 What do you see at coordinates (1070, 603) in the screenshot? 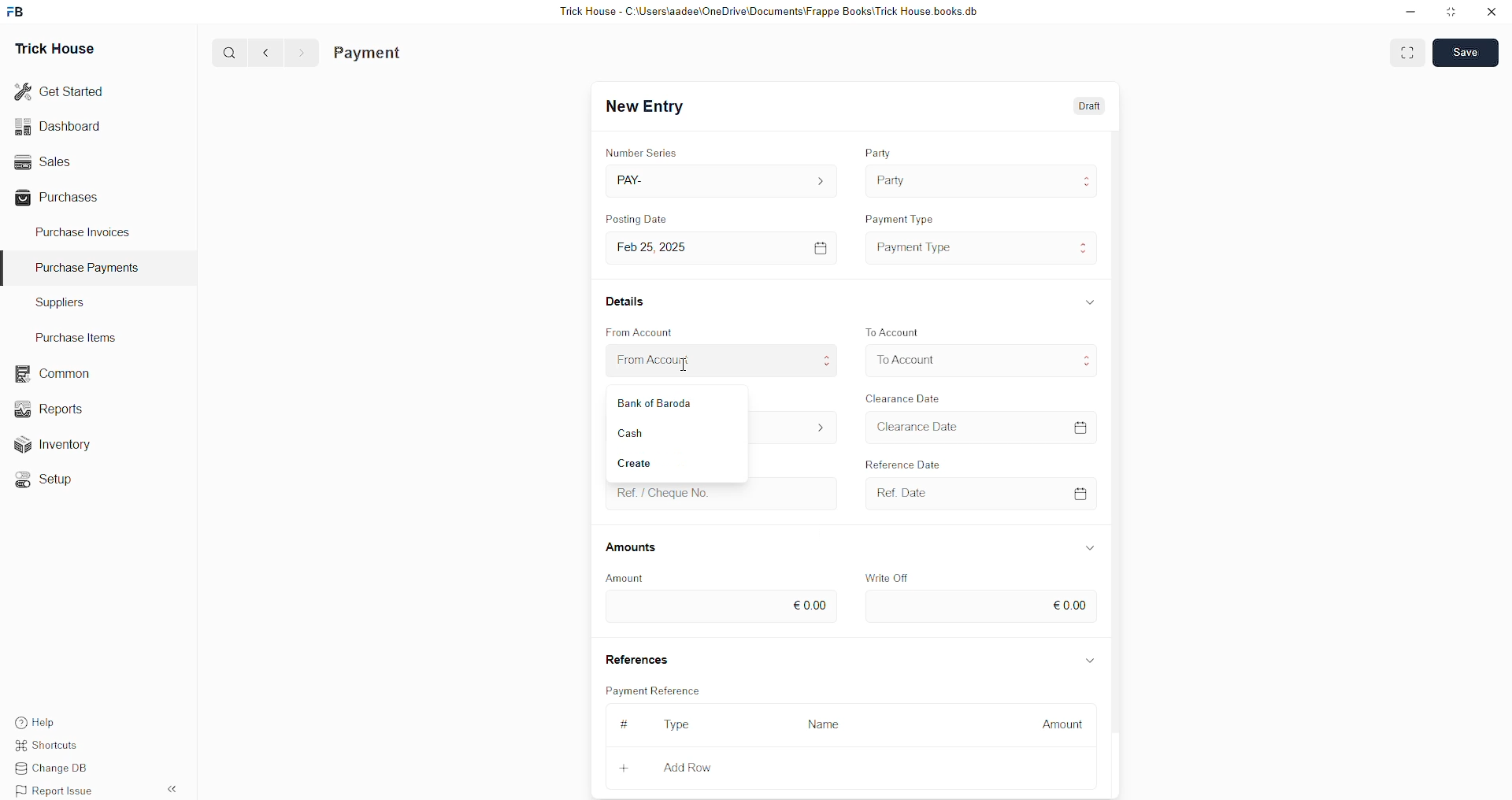
I see `€0.00` at bounding box center [1070, 603].